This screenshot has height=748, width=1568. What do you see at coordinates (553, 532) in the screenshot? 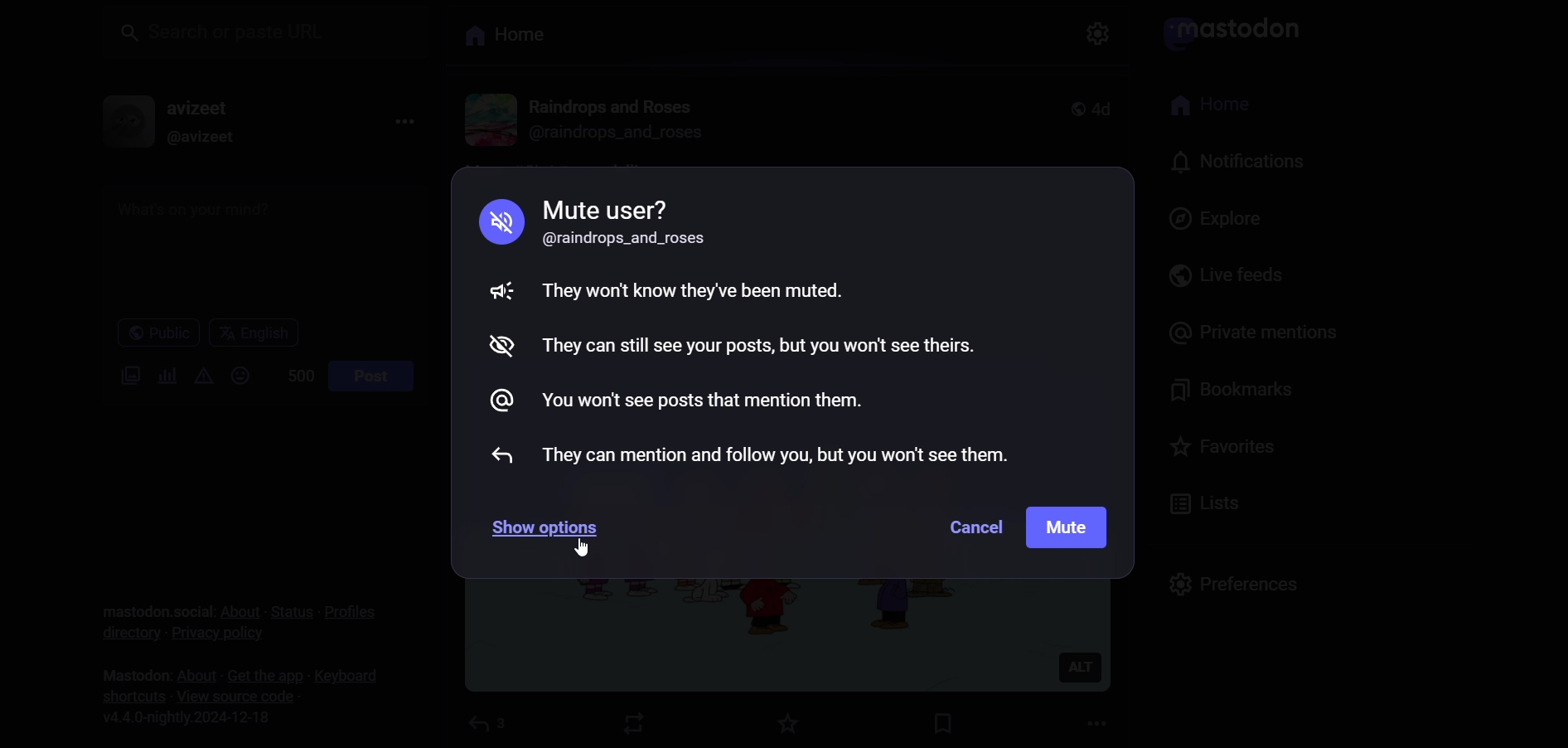
I see `show options` at bounding box center [553, 532].